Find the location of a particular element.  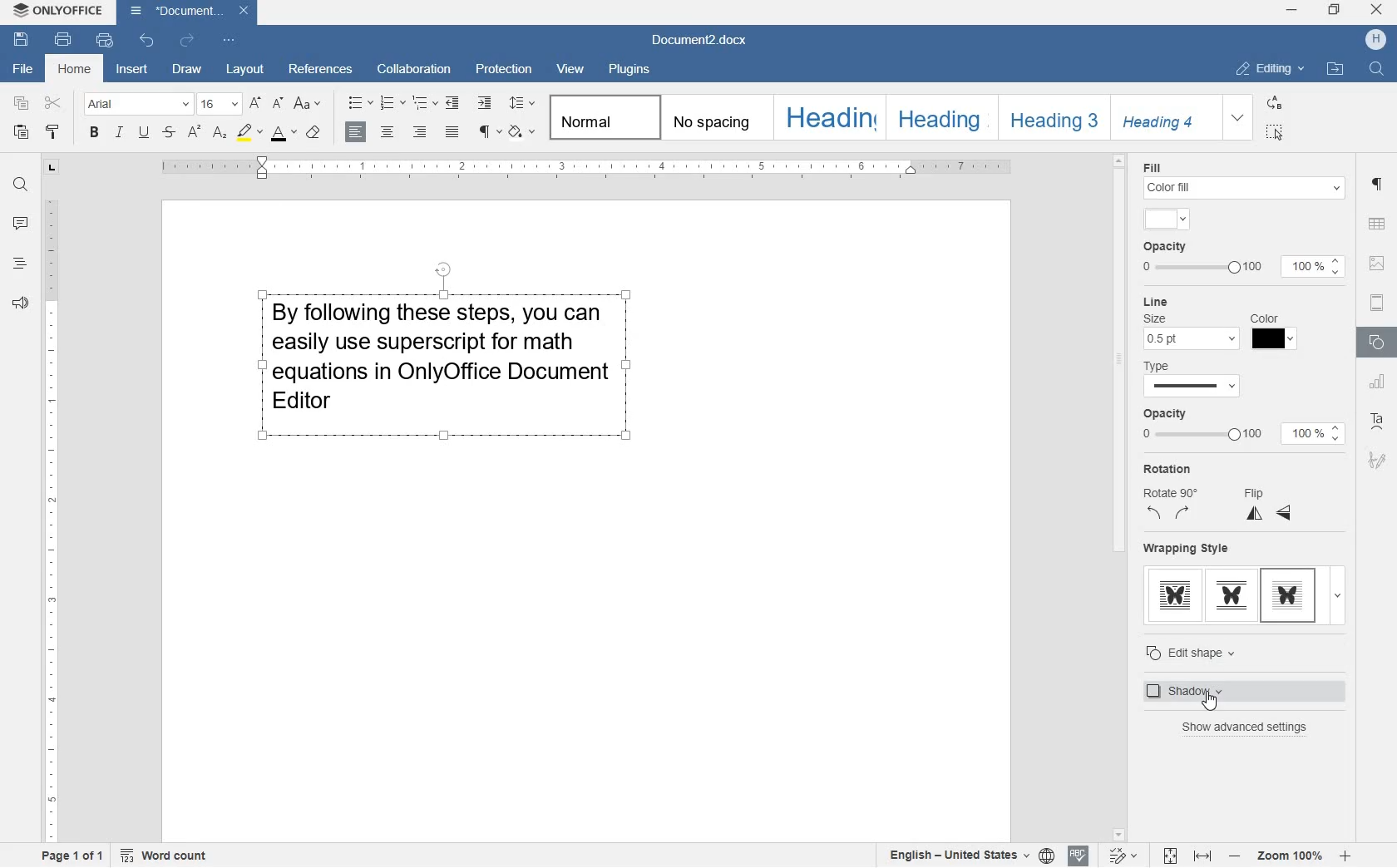

change case is located at coordinates (308, 104).